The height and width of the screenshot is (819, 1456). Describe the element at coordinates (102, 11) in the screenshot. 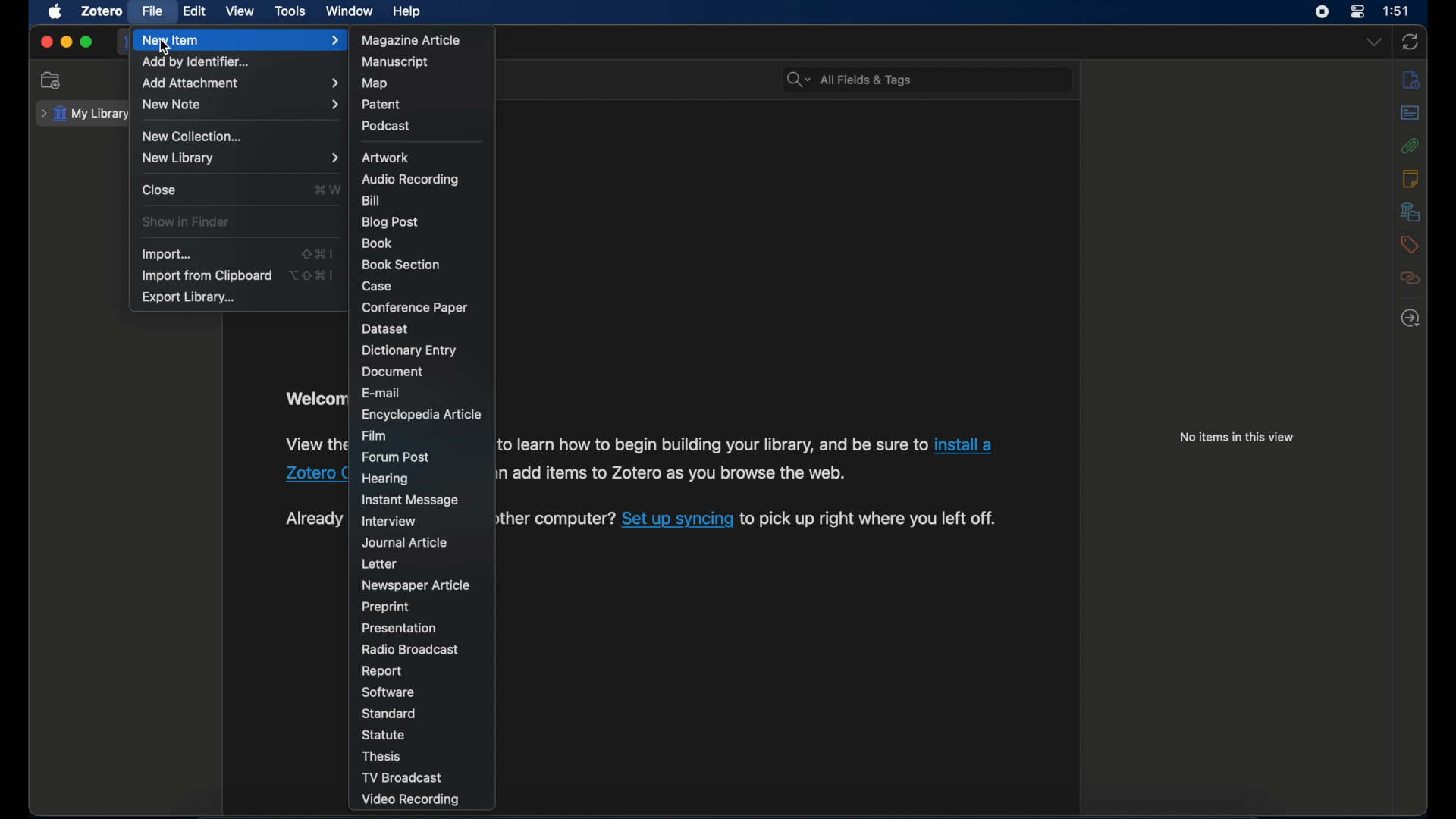

I see `zotero` at that location.